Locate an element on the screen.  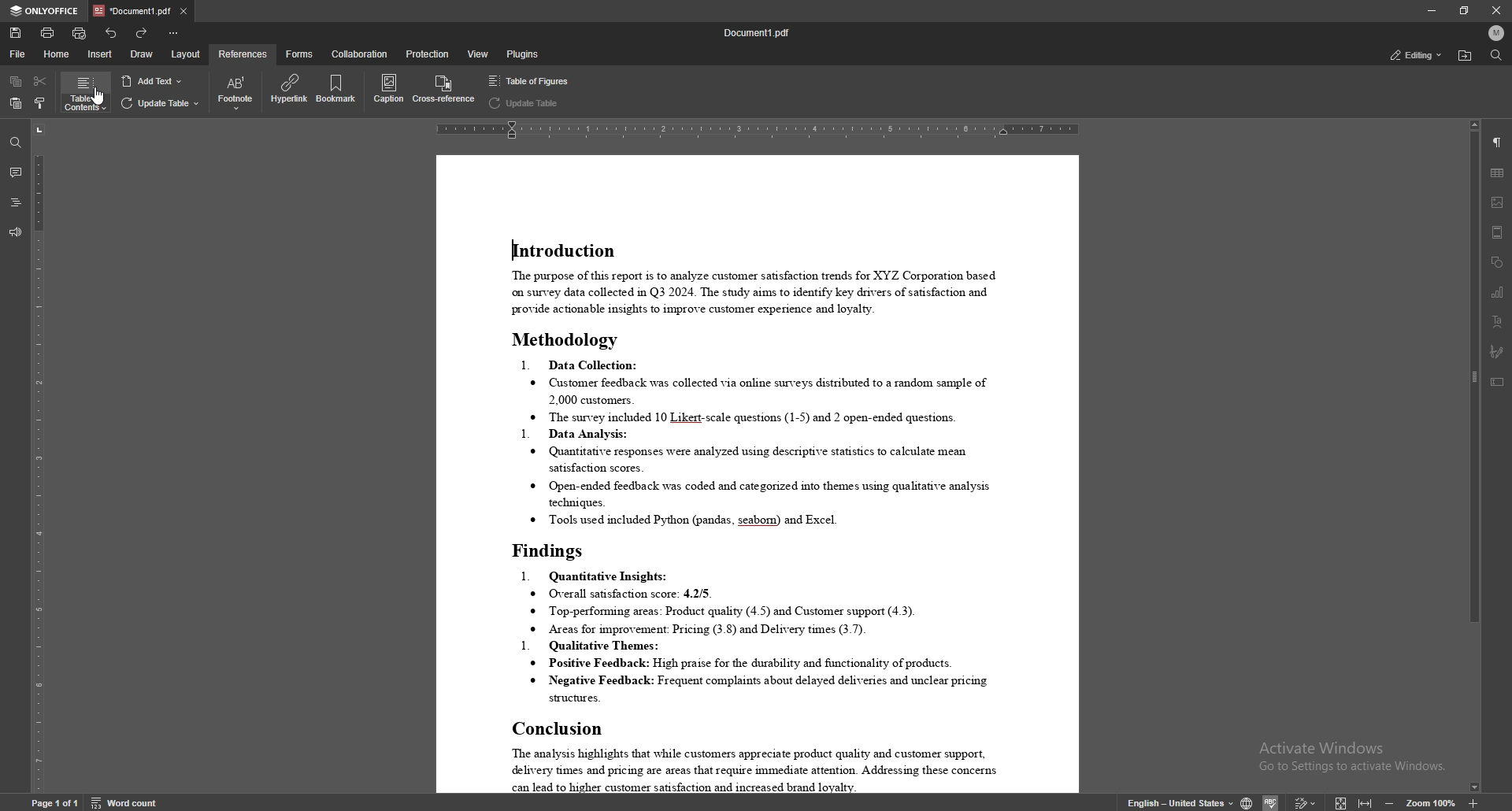
expand is located at coordinates (1357, 799).